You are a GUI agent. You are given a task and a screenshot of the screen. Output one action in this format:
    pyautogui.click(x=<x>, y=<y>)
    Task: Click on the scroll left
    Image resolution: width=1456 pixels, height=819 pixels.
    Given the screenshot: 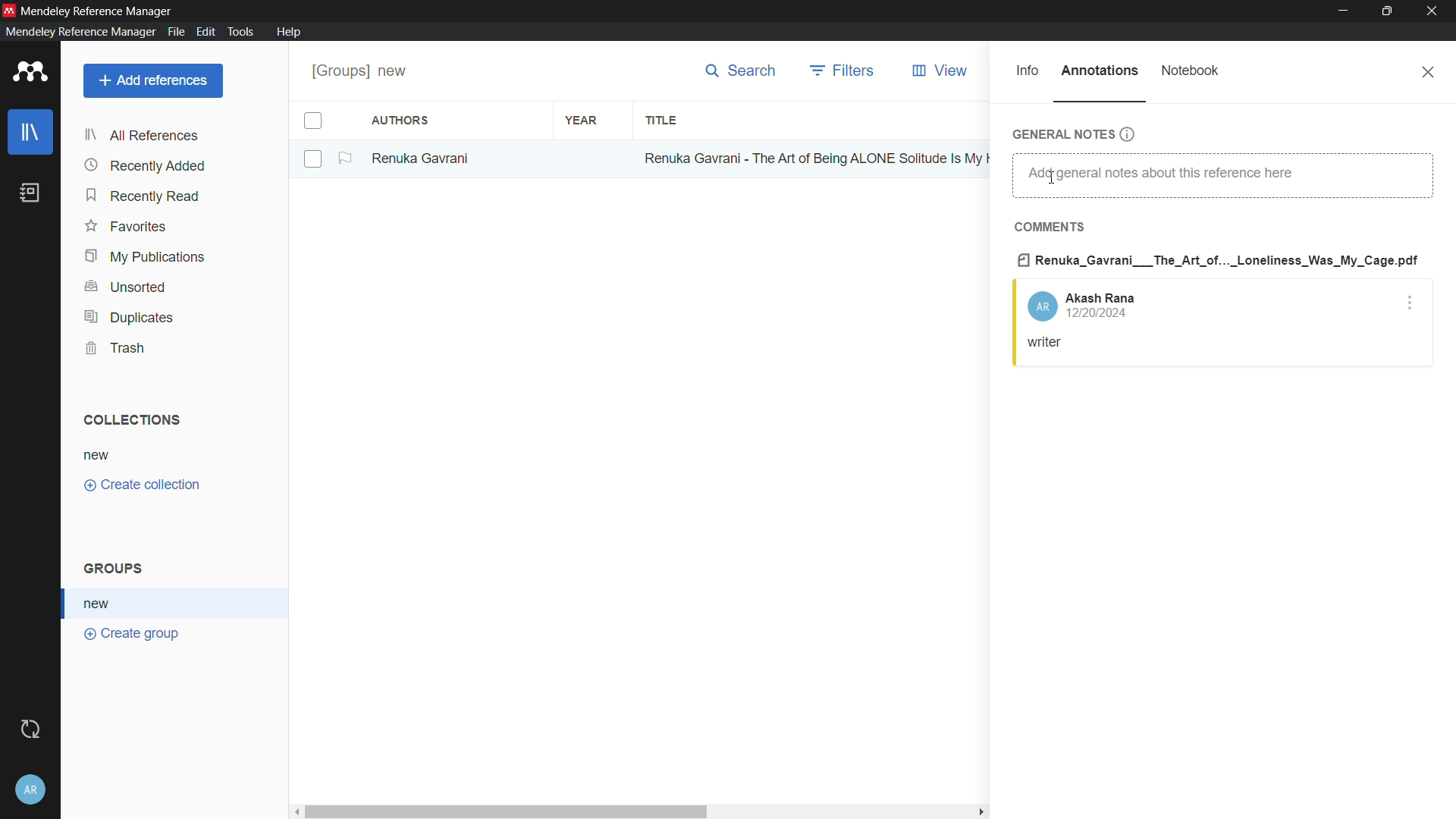 What is the action you would take?
    pyautogui.click(x=293, y=810)
    